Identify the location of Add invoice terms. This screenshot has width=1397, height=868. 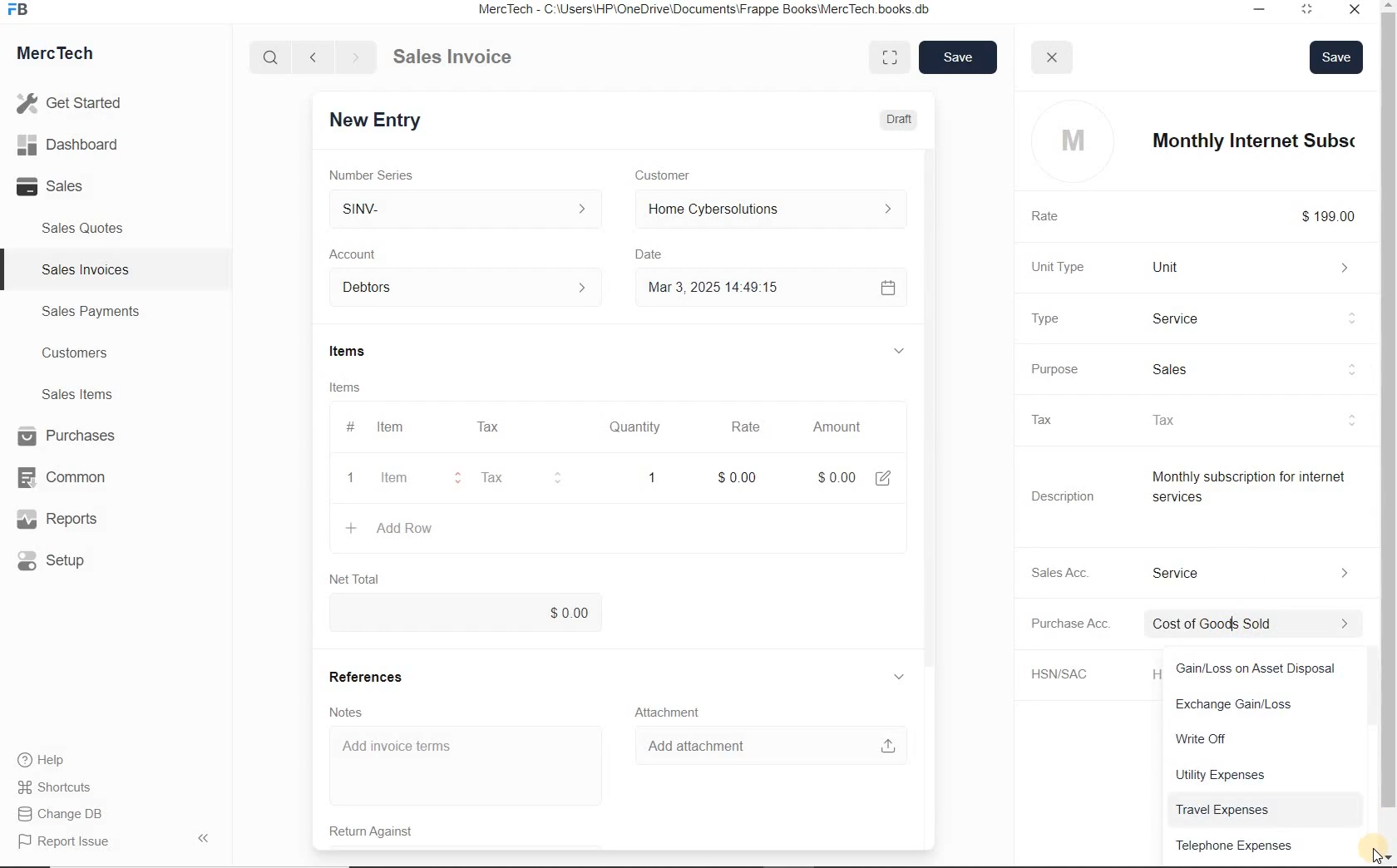
(474, 766).